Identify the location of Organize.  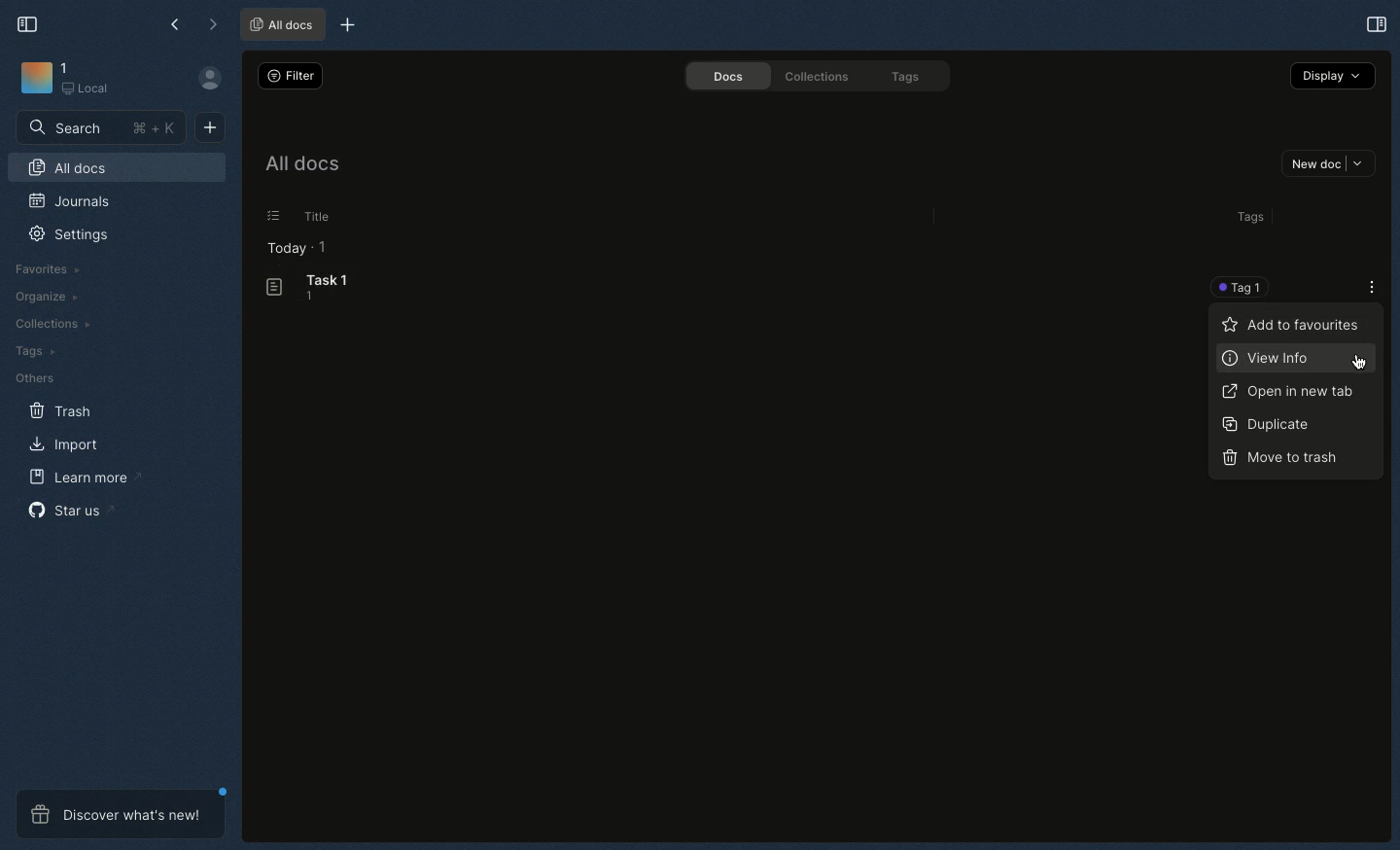
(48, 298).